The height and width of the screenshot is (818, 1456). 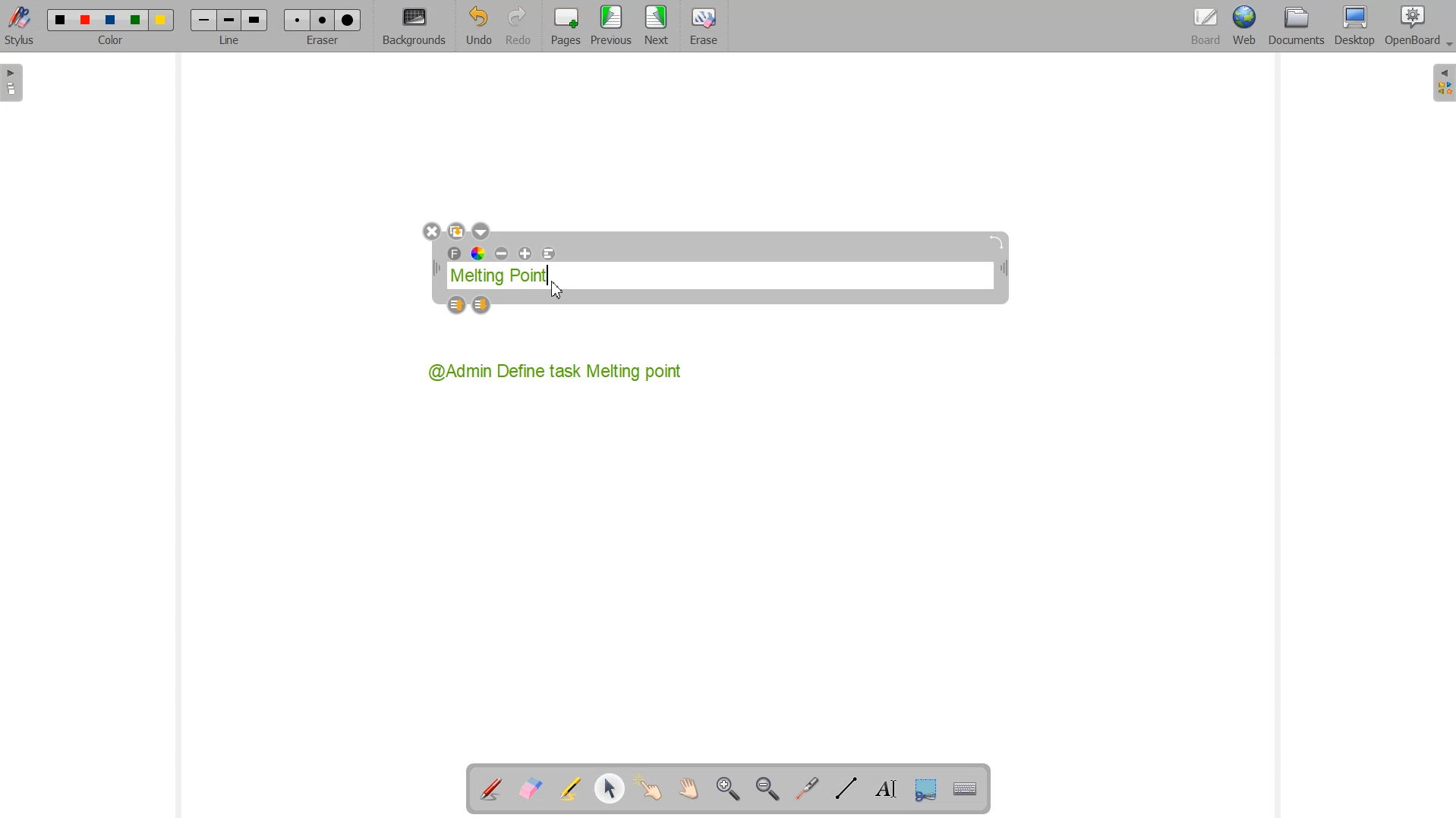 What do you see at coordinates (730, 789) in the screenshot?
I see `Zoom In` at bounding box center [730, 789].